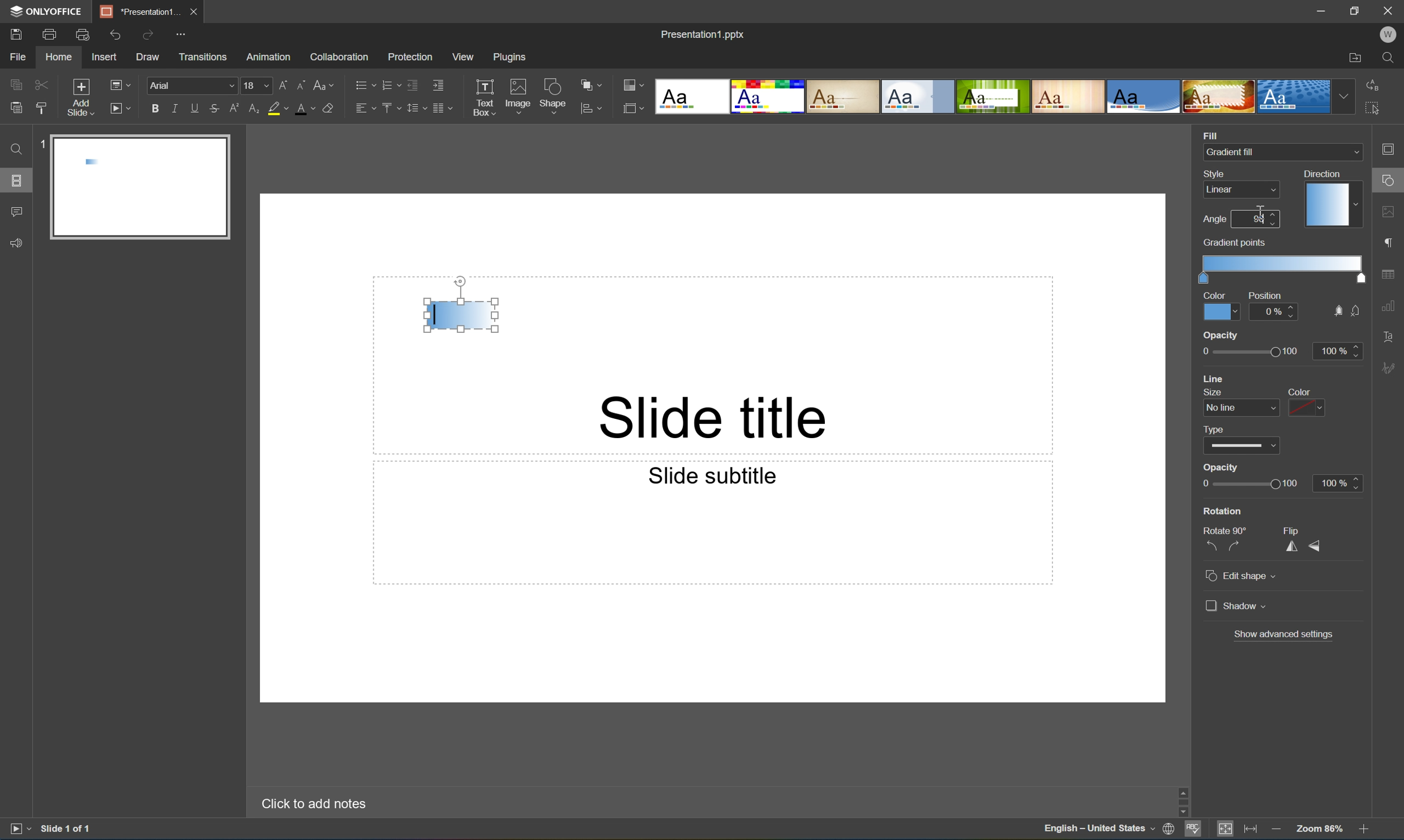 This screenshot has height=840, width=1404. Describe the element at coordinates (19, 828) in the screenshot. I see `Start slideshow` at that location.